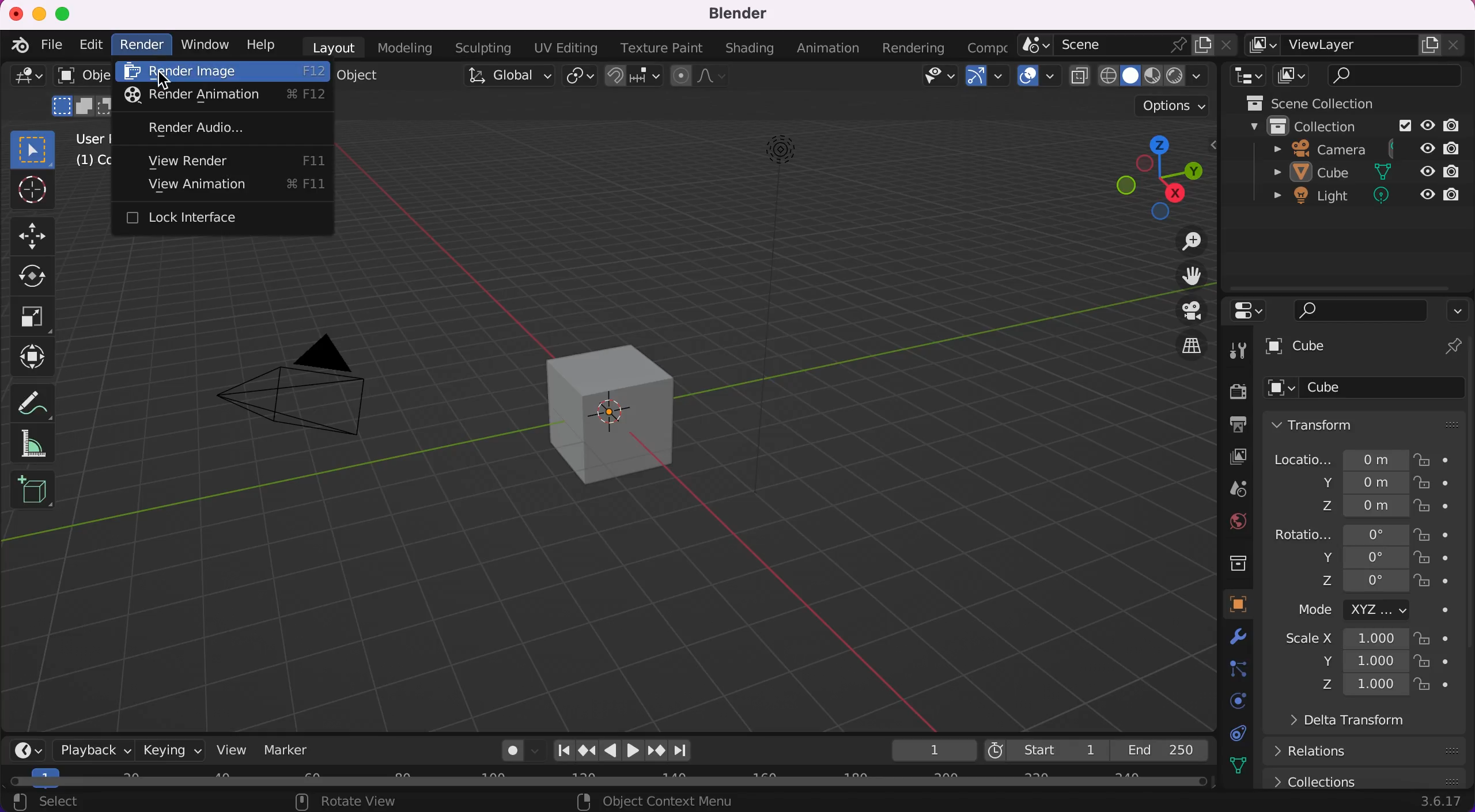  What do you see at coordinates (41, 355) in the screenshot?
I see `transform` at bounding box center [41, 355].